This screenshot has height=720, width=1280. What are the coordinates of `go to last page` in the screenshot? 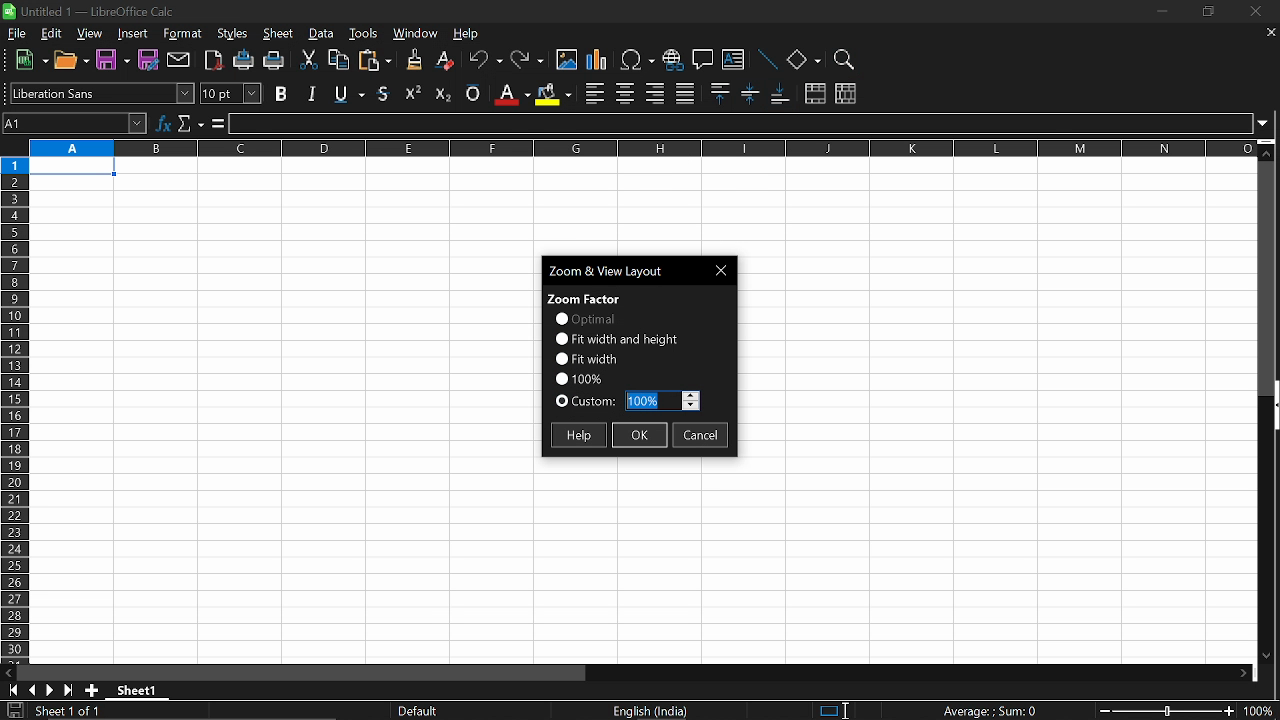 It's located at (70, 691).